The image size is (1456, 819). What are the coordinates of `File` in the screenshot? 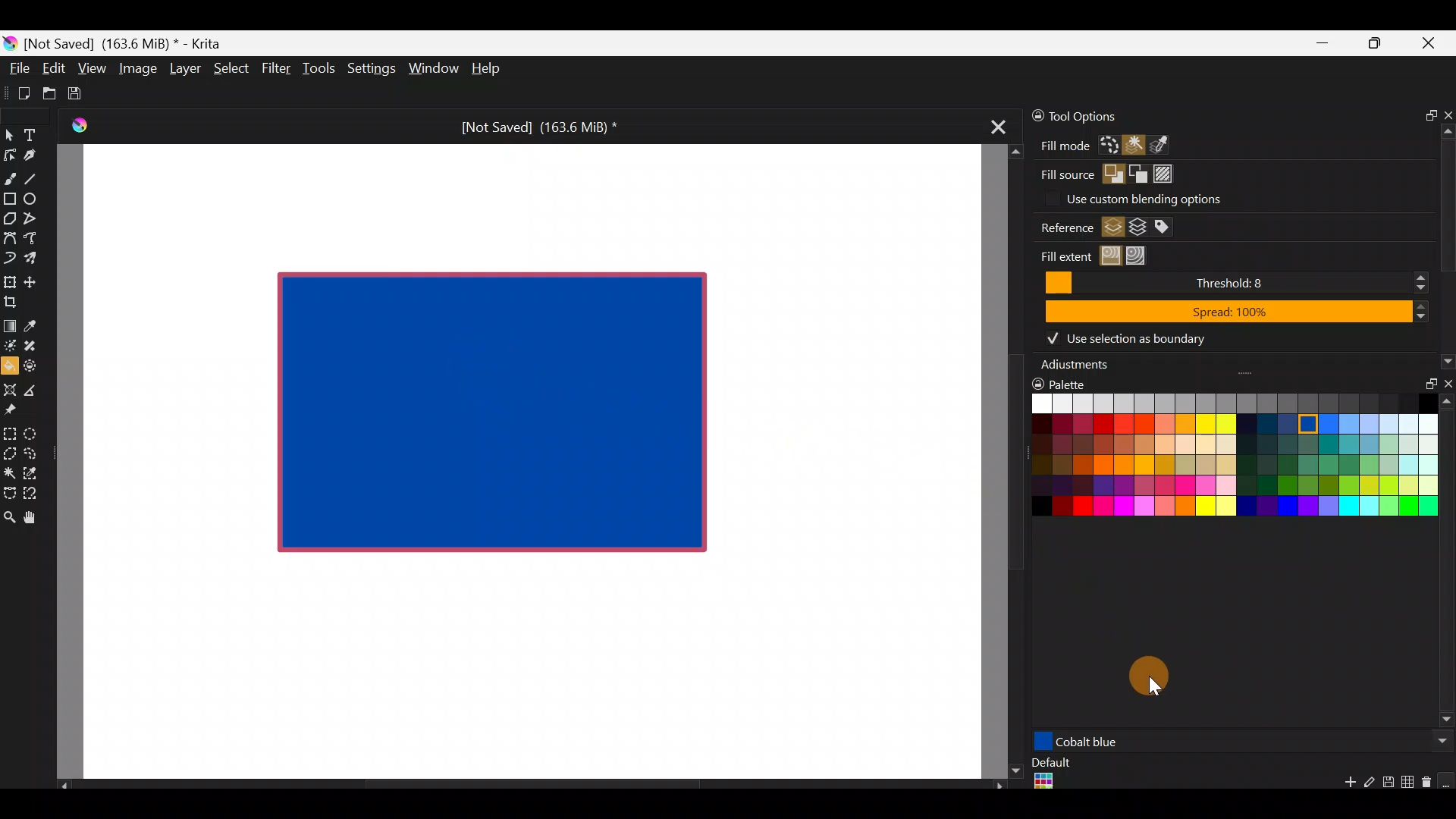 It's located at (20, 67).